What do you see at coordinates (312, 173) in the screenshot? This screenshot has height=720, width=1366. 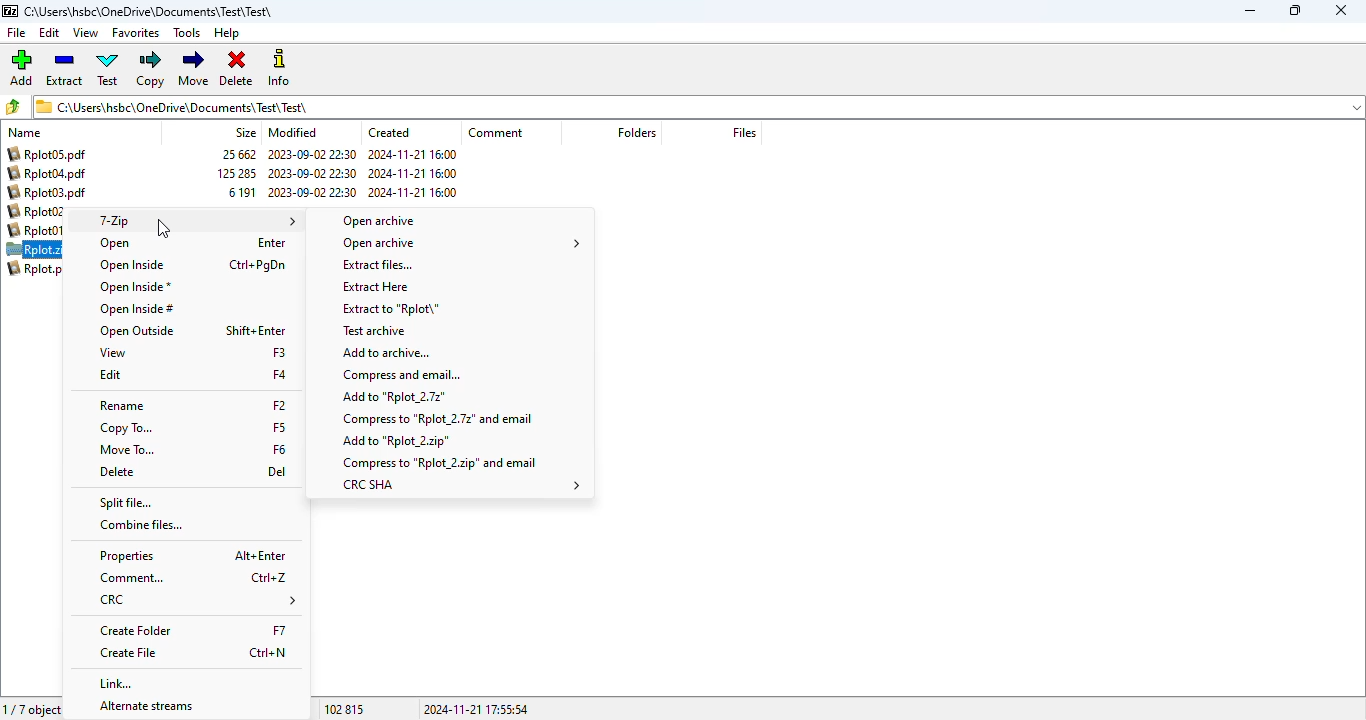 I see `2023-09-02 22:30` at bounding box center [312, 173].